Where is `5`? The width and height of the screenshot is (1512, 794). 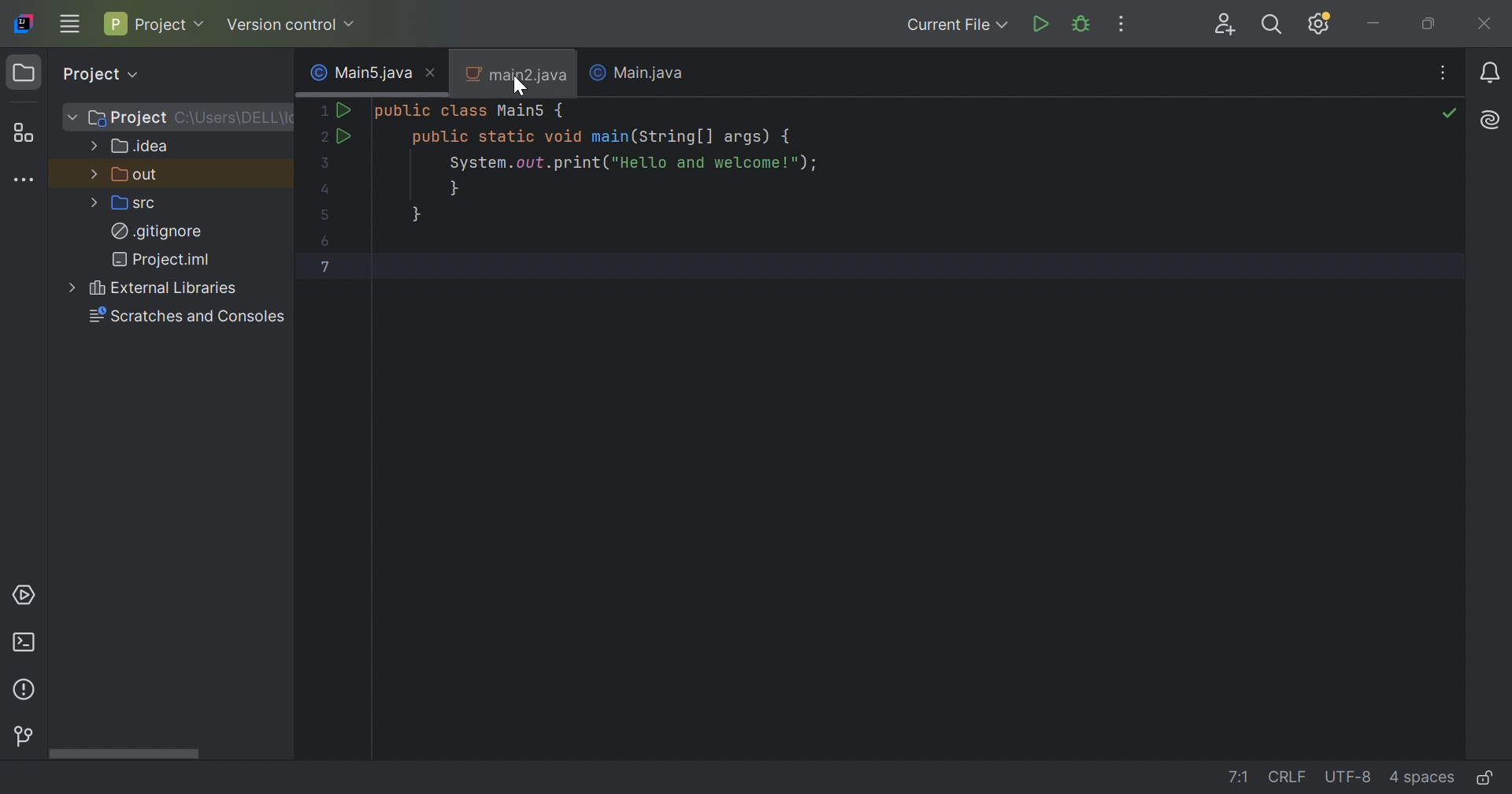
5 is located at coordinates (321, 213).